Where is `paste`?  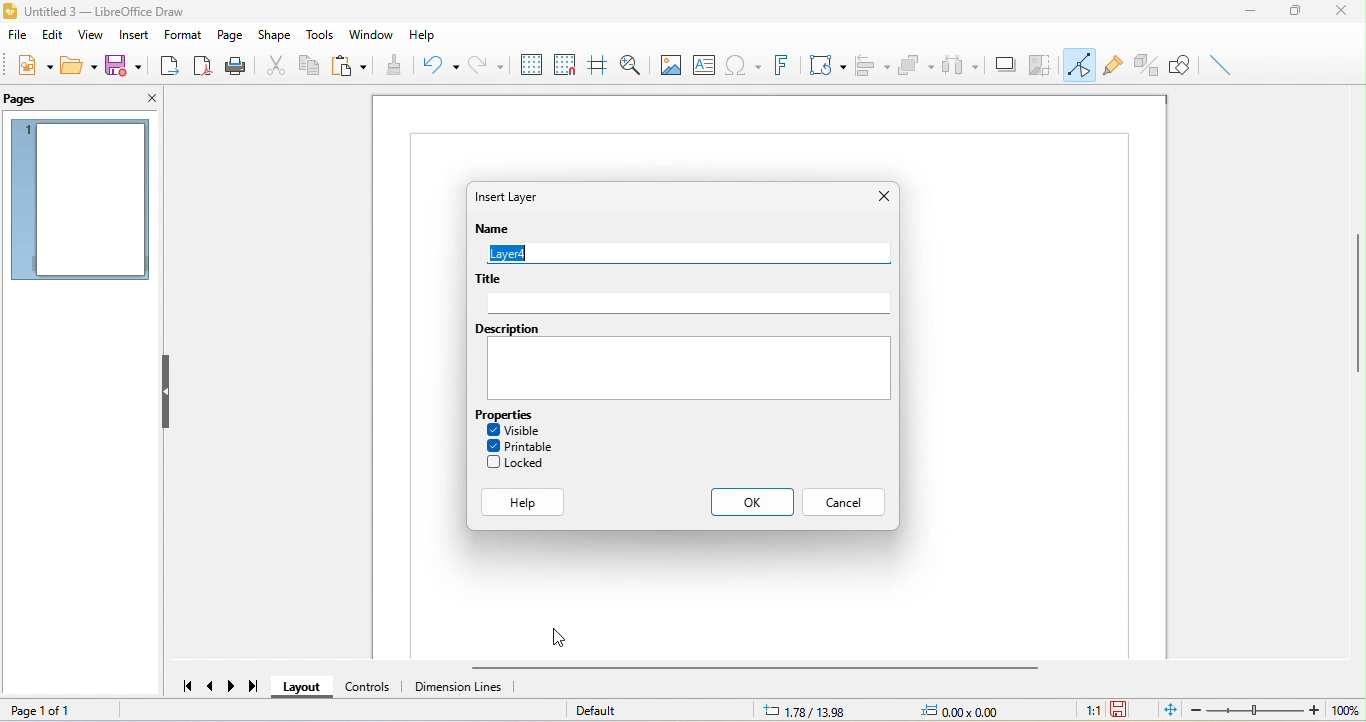 paste is located at coordinates (348, 67).